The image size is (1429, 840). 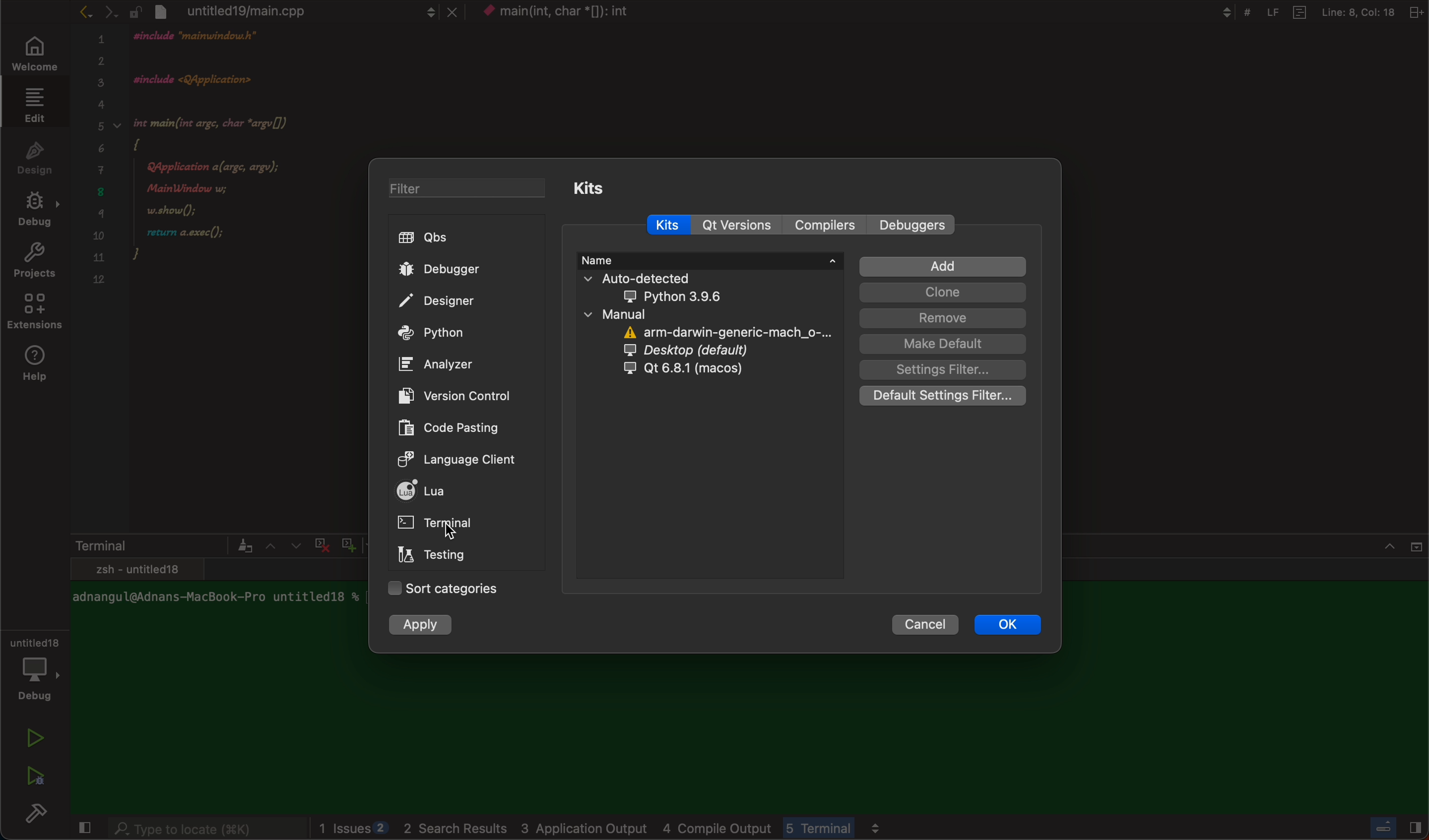 I want to click on file information, so click(x=1313, y=12).